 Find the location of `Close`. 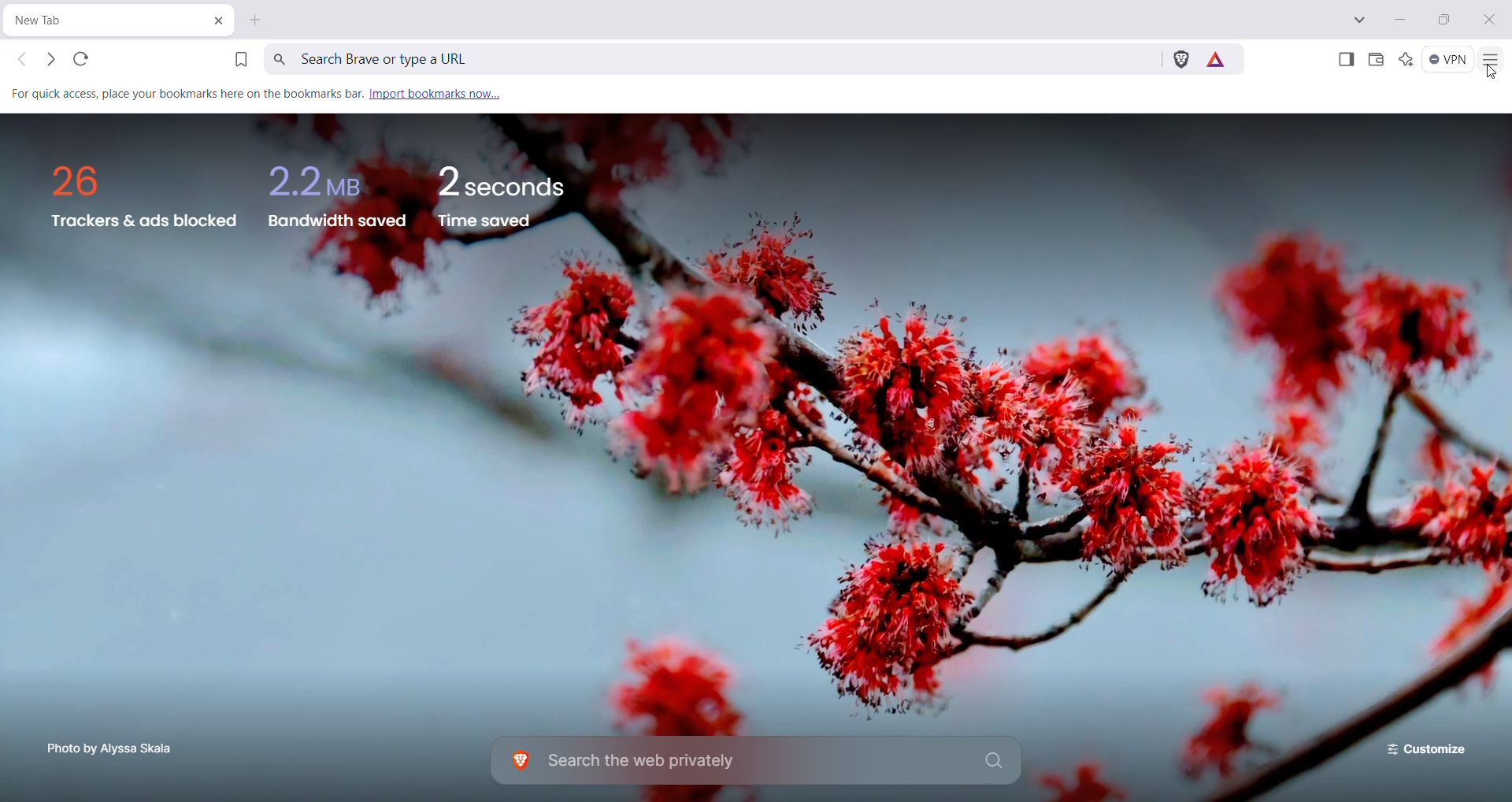

Close is located at coordinates (1491, 21).